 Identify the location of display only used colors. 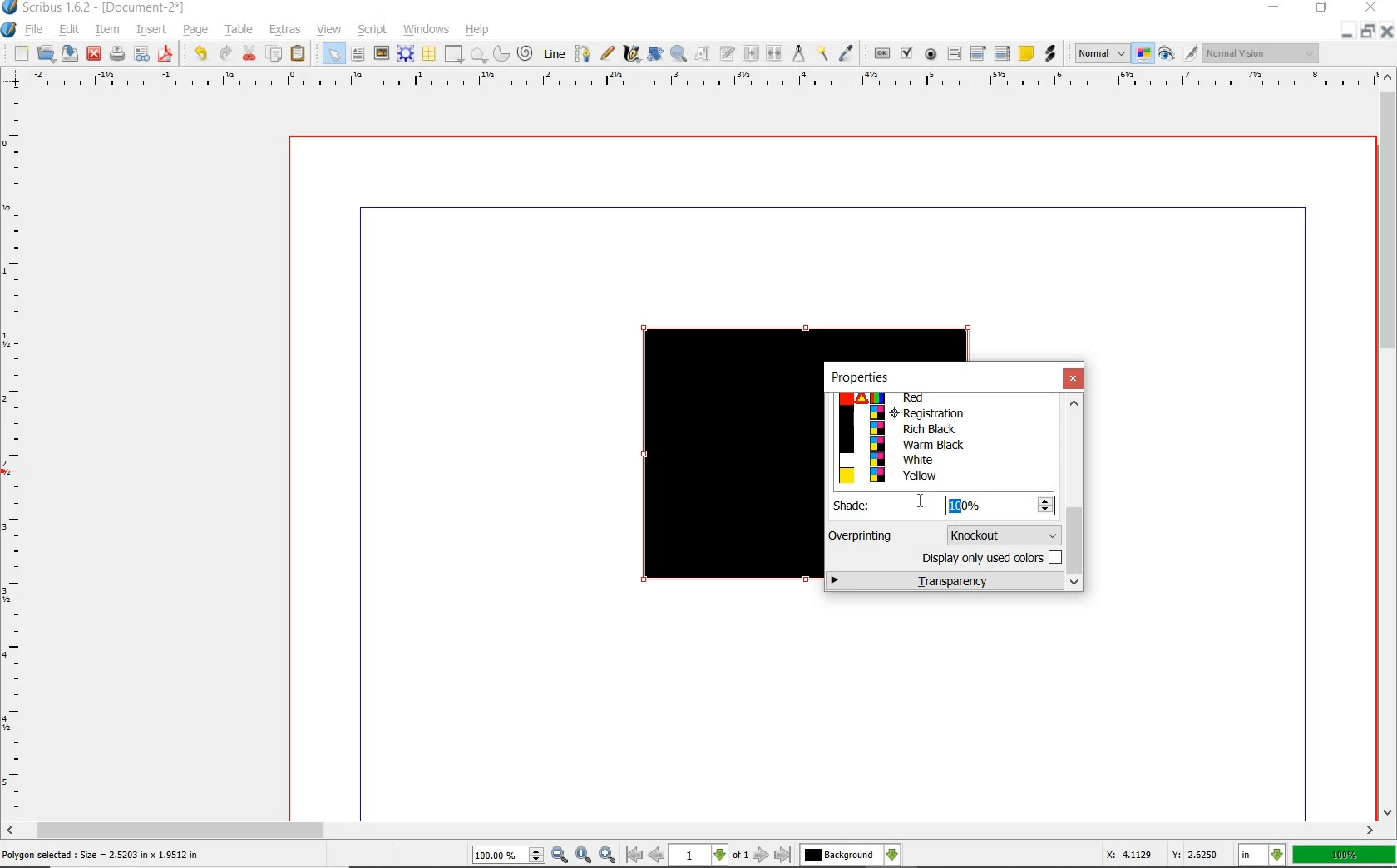
(990, 560).